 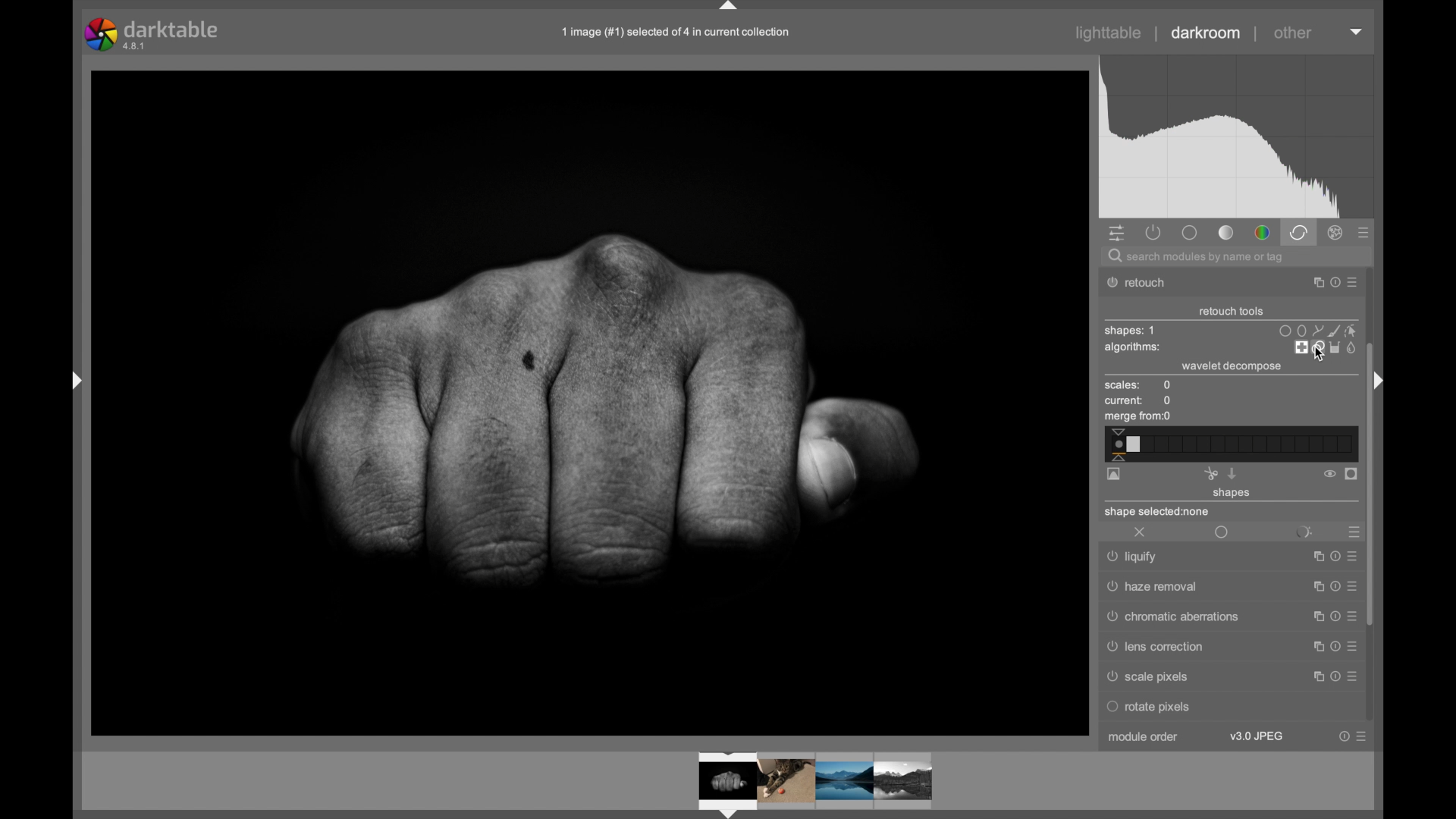 I want to click on color, so click(x=1262, y=234).